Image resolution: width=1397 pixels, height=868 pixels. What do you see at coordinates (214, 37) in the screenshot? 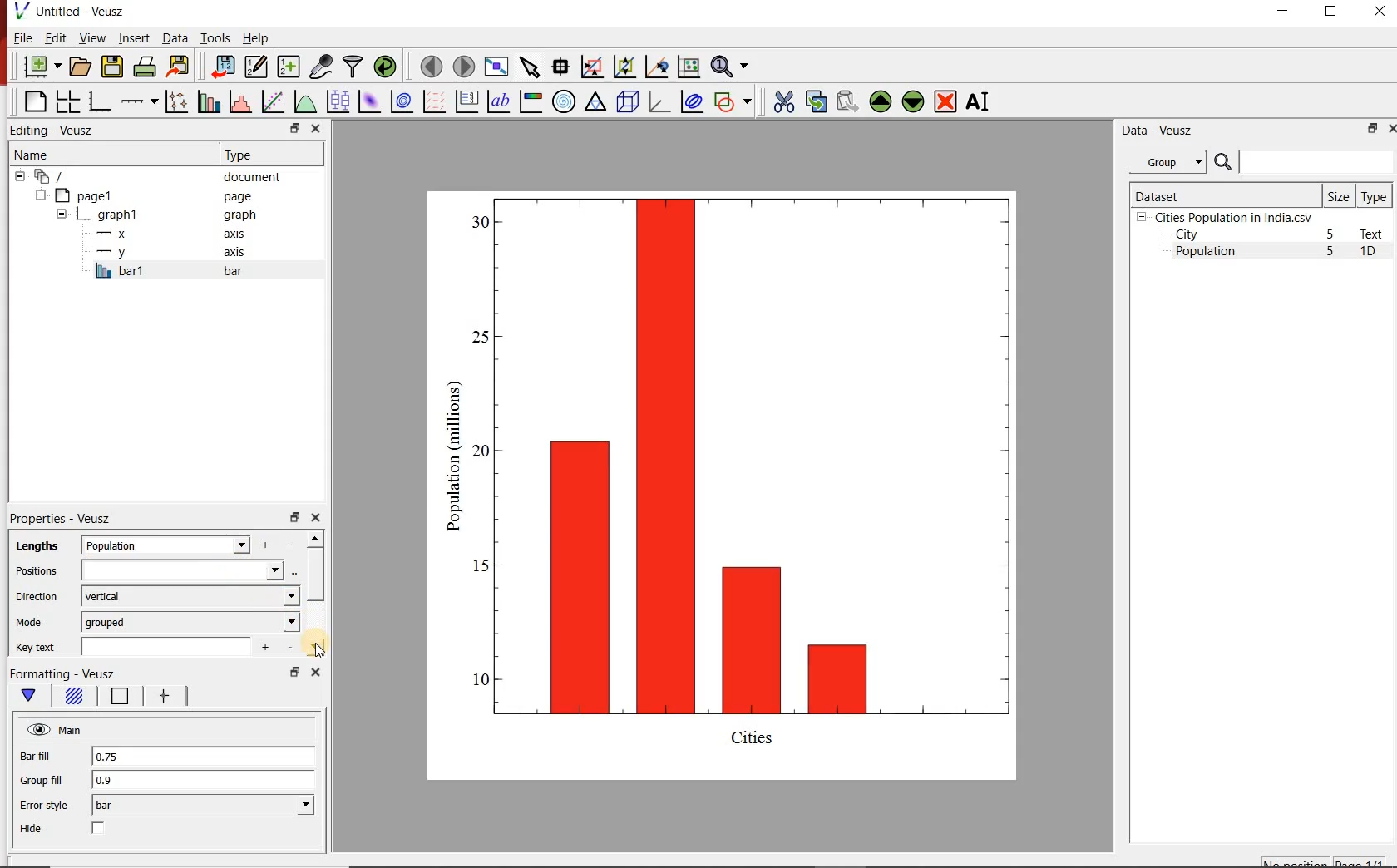
I see `Tools` at bounding box center [214, 37].